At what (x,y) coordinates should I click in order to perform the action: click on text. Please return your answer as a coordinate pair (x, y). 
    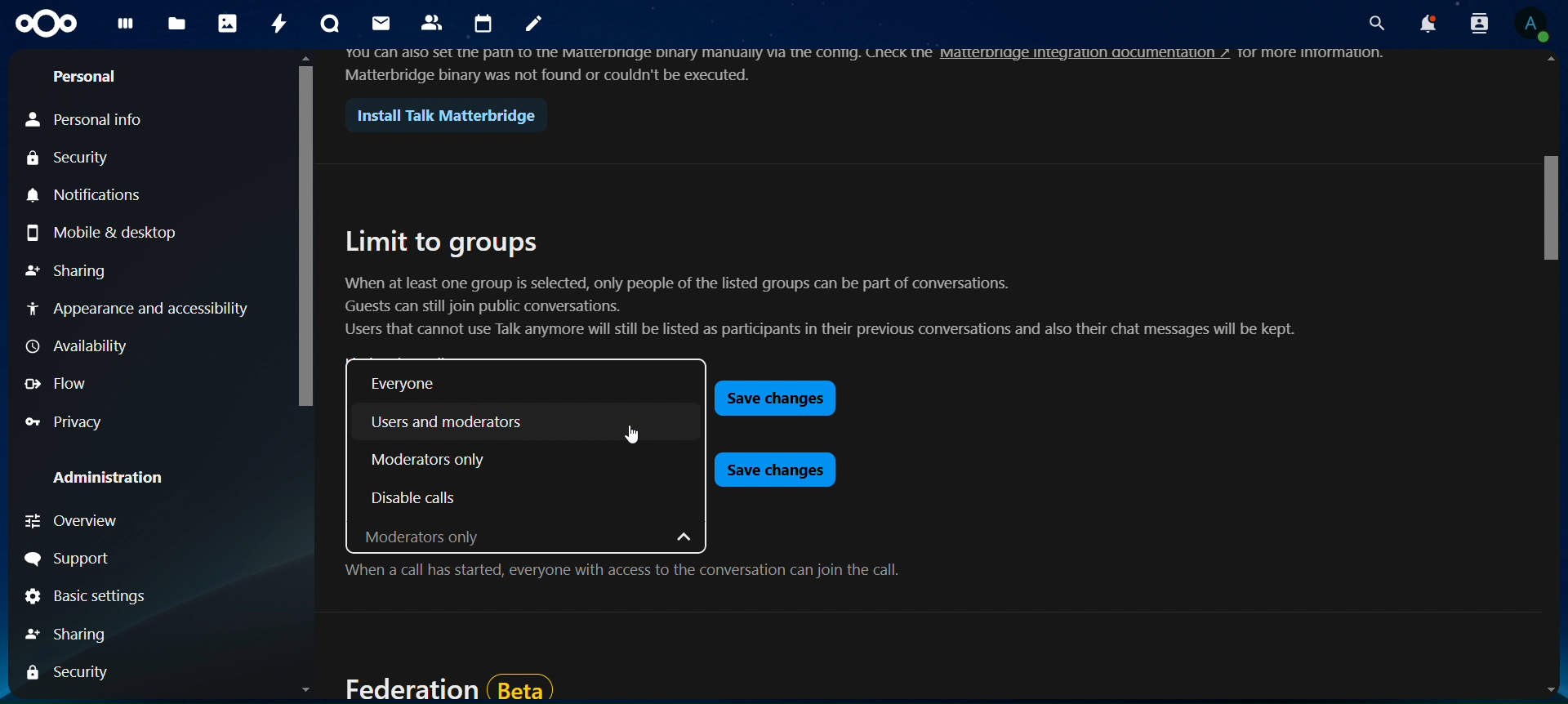
    Looking at the image, I should click on (1314, 53).